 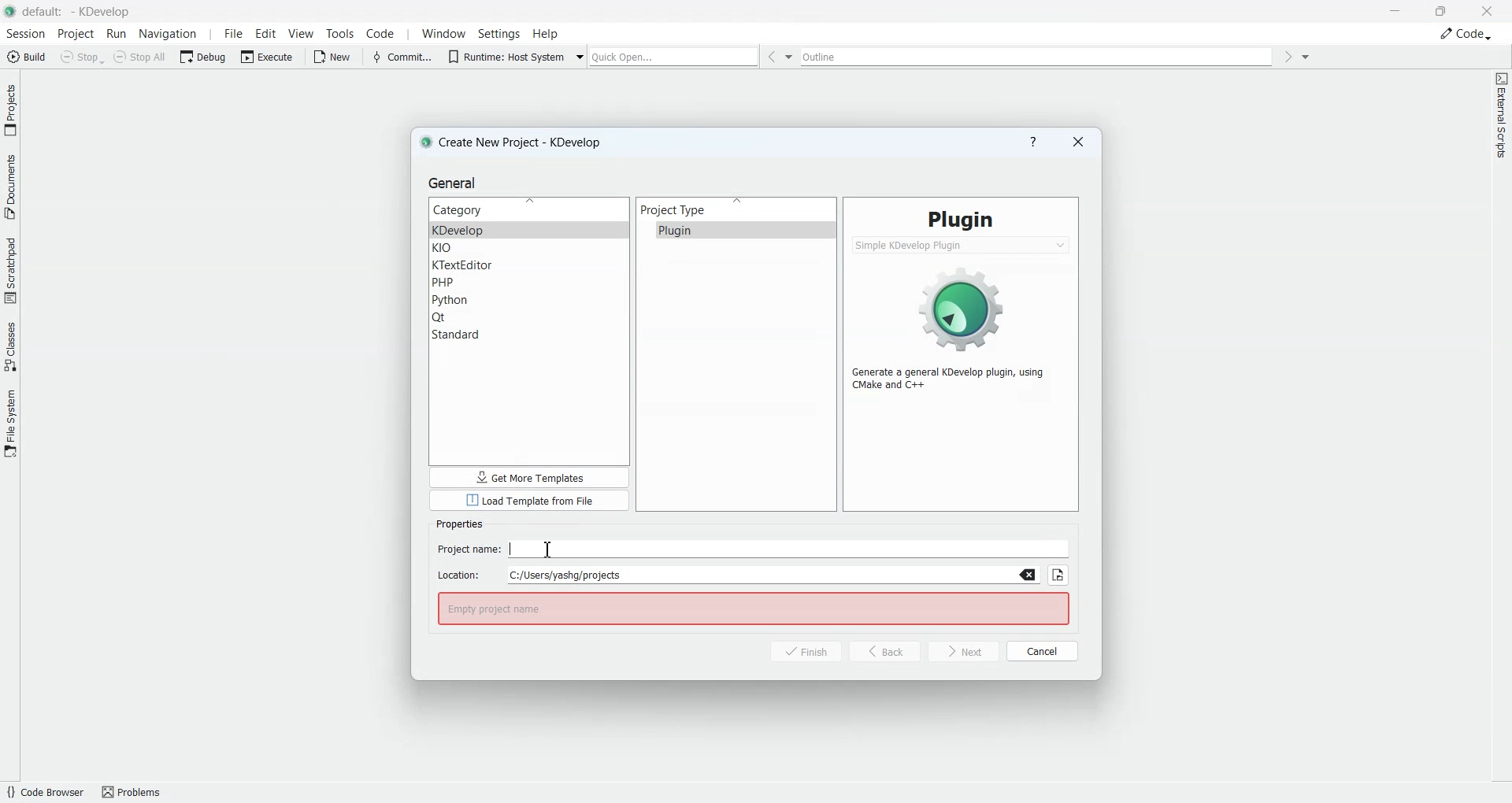 I want to click on cancel, so click(x=1043, y=649).